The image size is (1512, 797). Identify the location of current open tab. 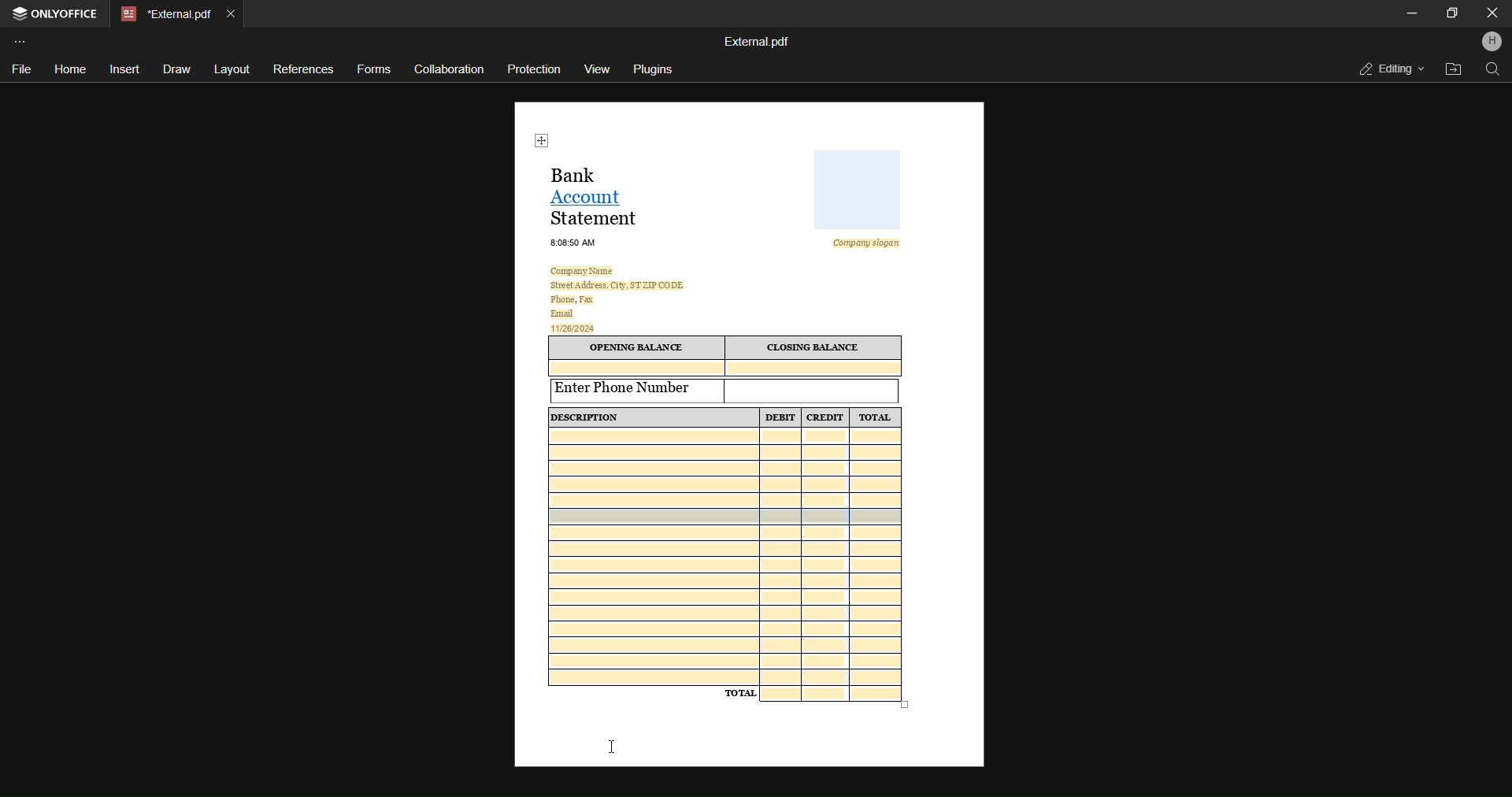
(164, 13).